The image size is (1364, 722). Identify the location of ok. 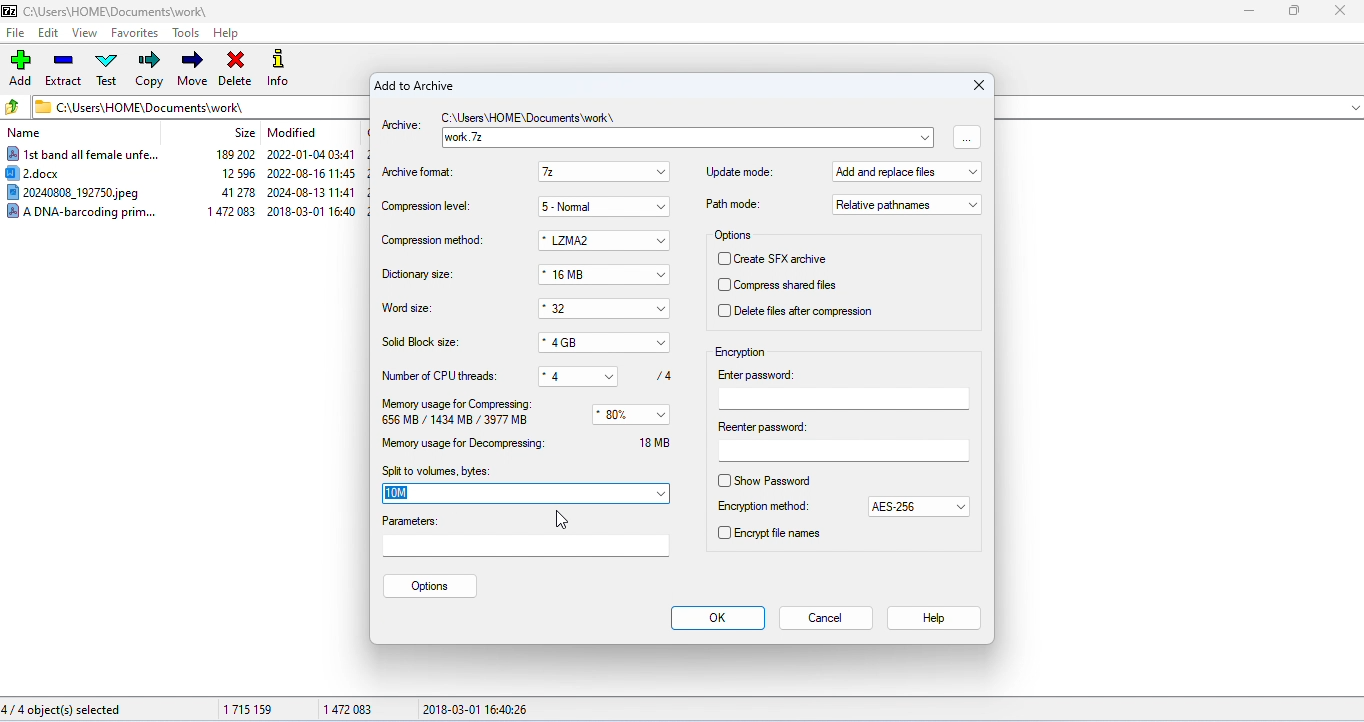
(718, 619).